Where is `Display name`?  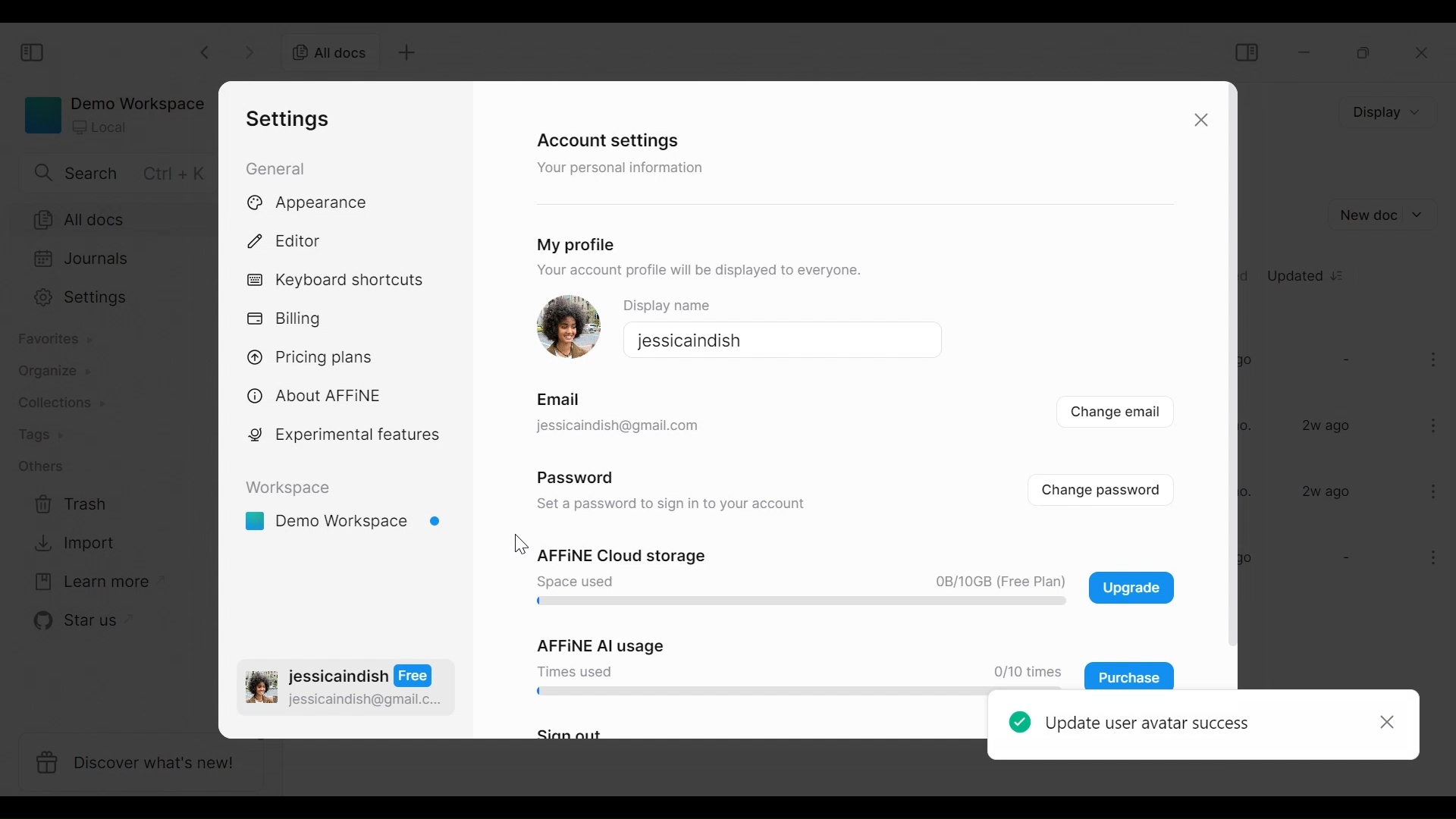
Display name is located at coordinates (679, 303).